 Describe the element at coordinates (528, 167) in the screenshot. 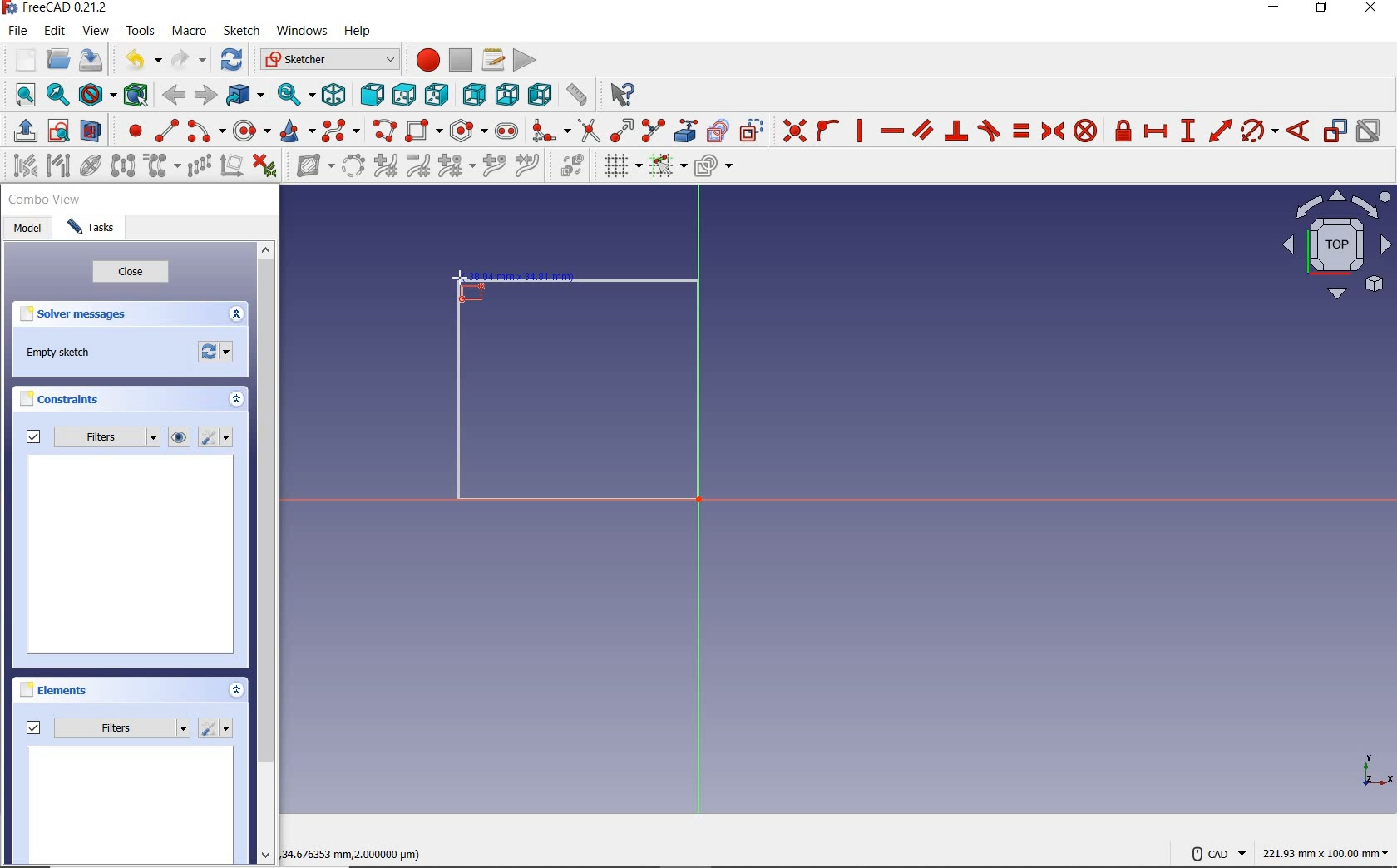

I see `join curves` at that location.